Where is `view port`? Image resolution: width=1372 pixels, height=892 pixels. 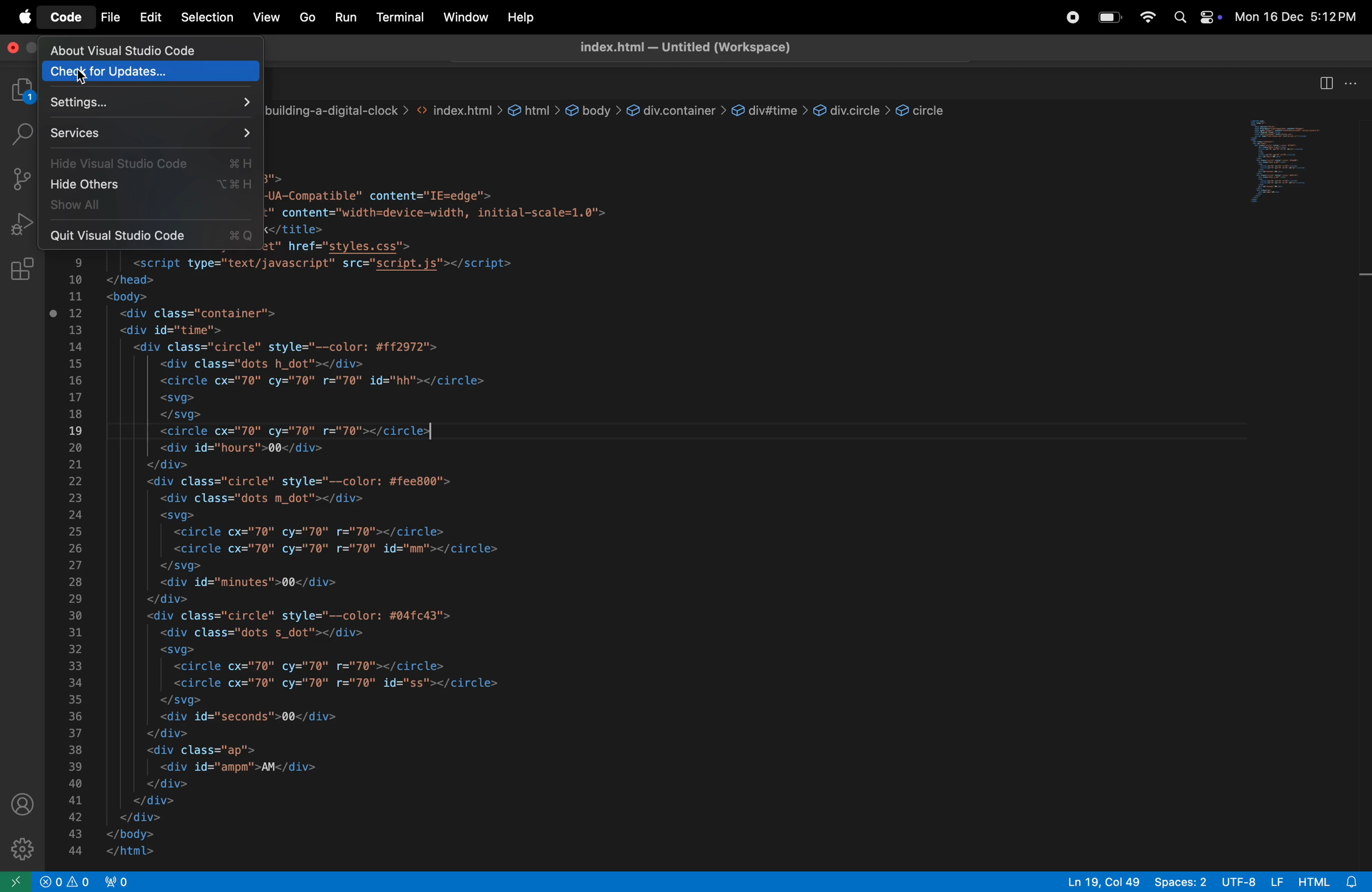 view port is located at coordinates (126, 881).